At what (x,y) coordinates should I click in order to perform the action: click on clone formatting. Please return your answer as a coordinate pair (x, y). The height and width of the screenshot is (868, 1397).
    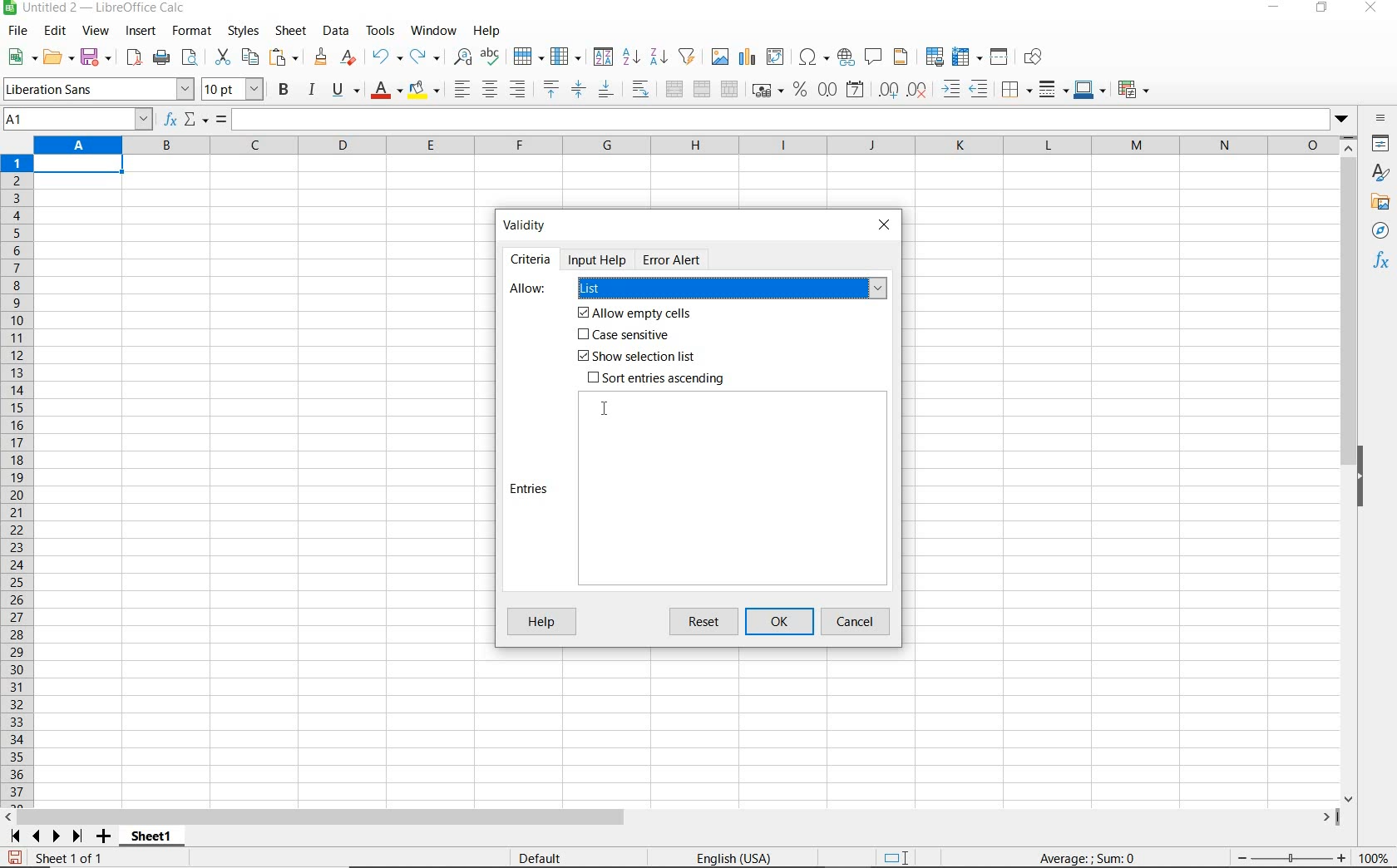
    Looking at the image, I should click on (322, 57).